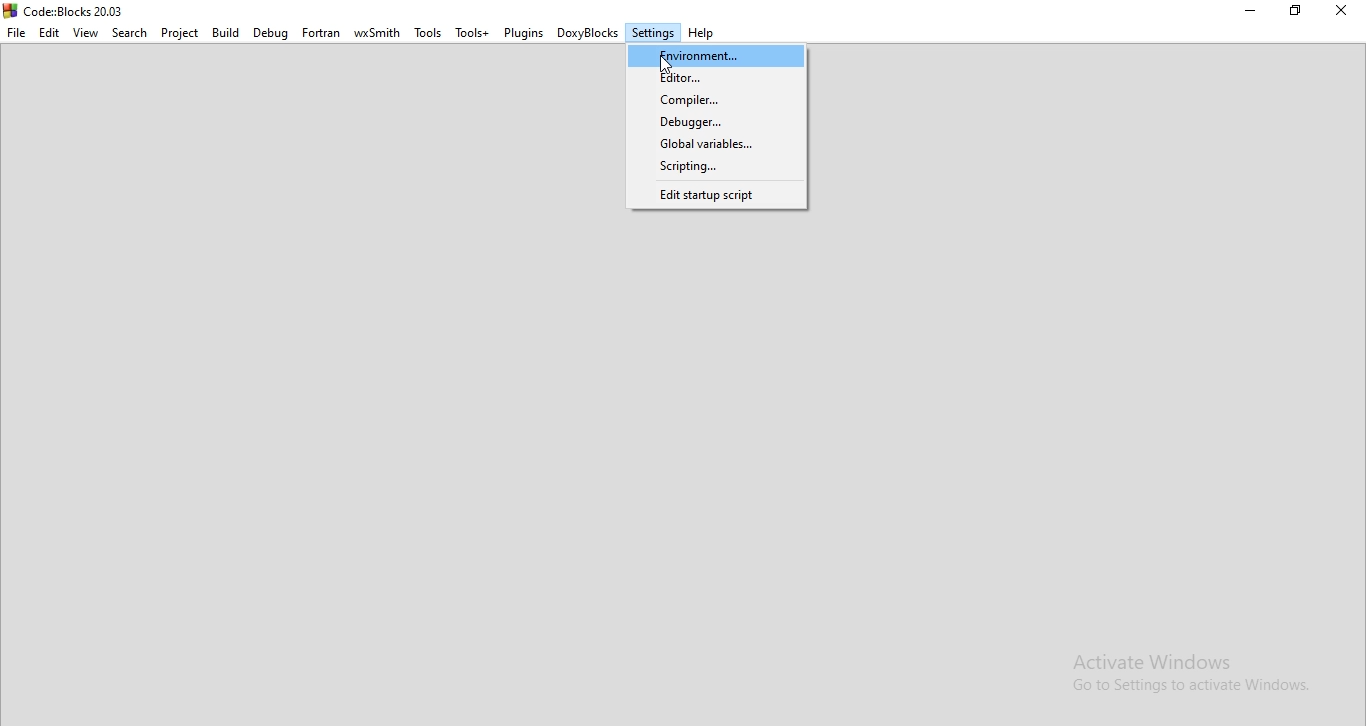 The height and width of the screenshot is (726, 1366). Describe the element at coordinates (322, 33) in the screenshot. I see `Fortran` at that location.